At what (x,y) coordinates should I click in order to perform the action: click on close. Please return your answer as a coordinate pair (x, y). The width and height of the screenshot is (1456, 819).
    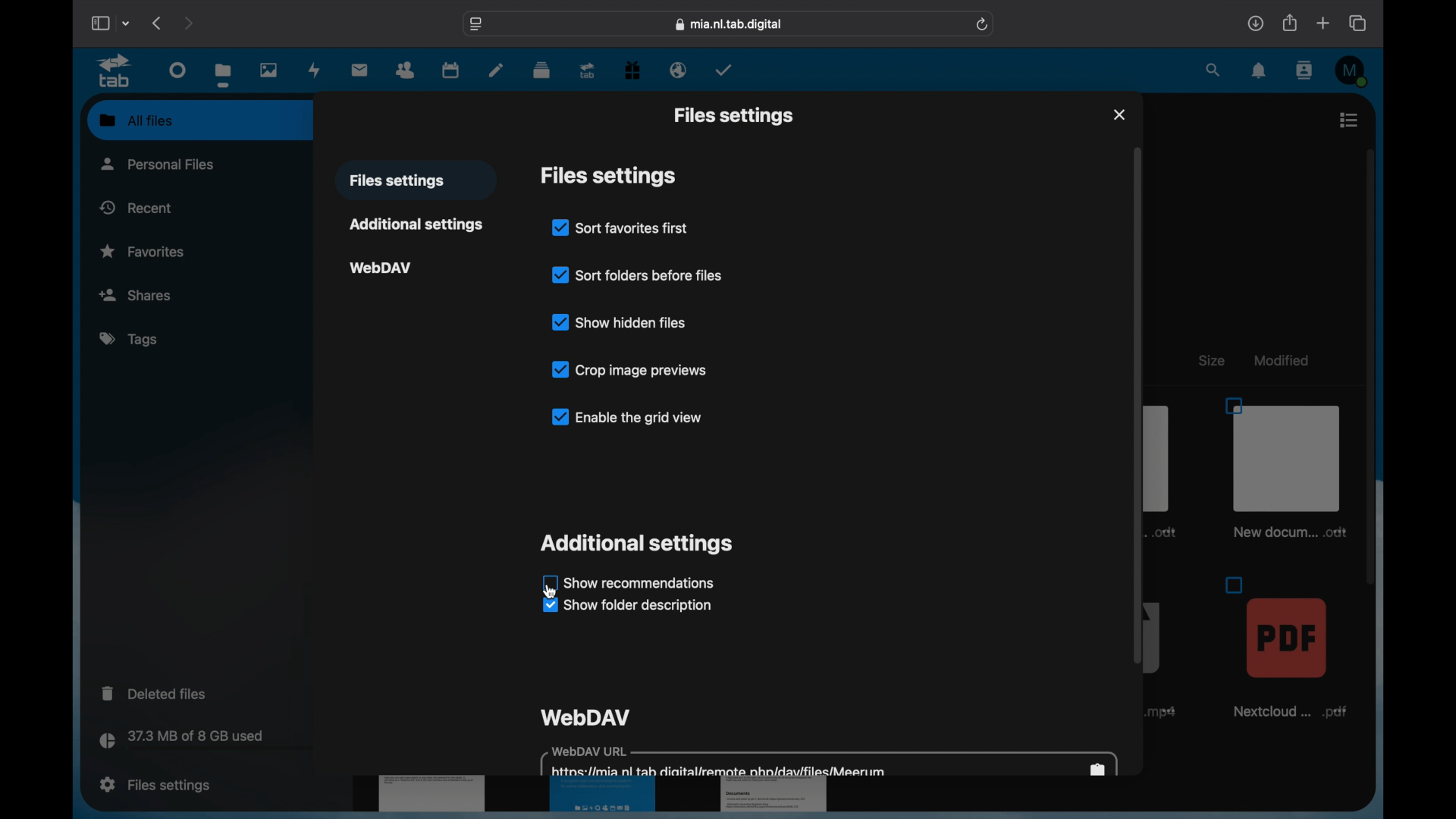
    Looking at the image, I should click on (1119, 113).